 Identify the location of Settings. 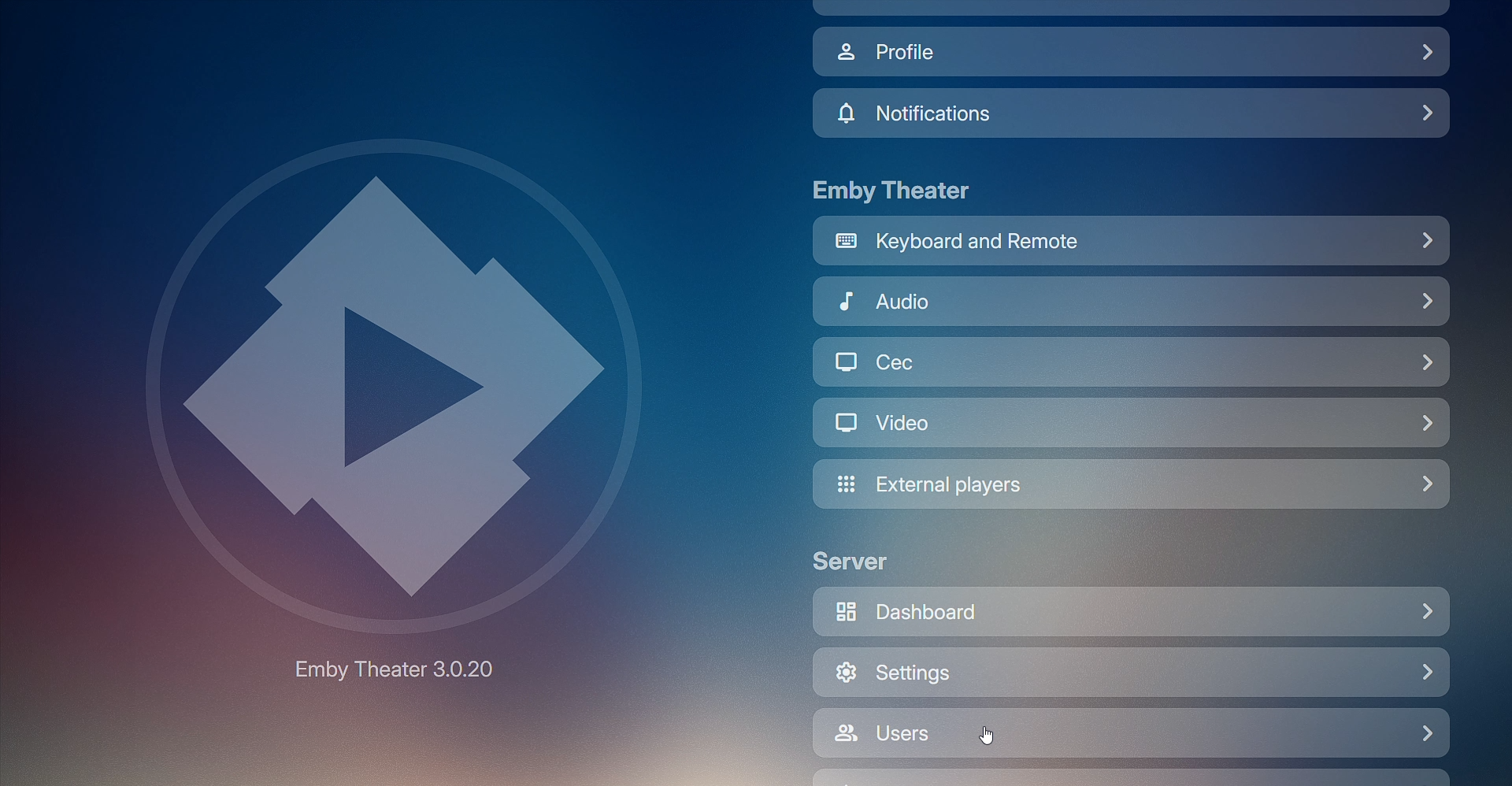
(1131, 673).